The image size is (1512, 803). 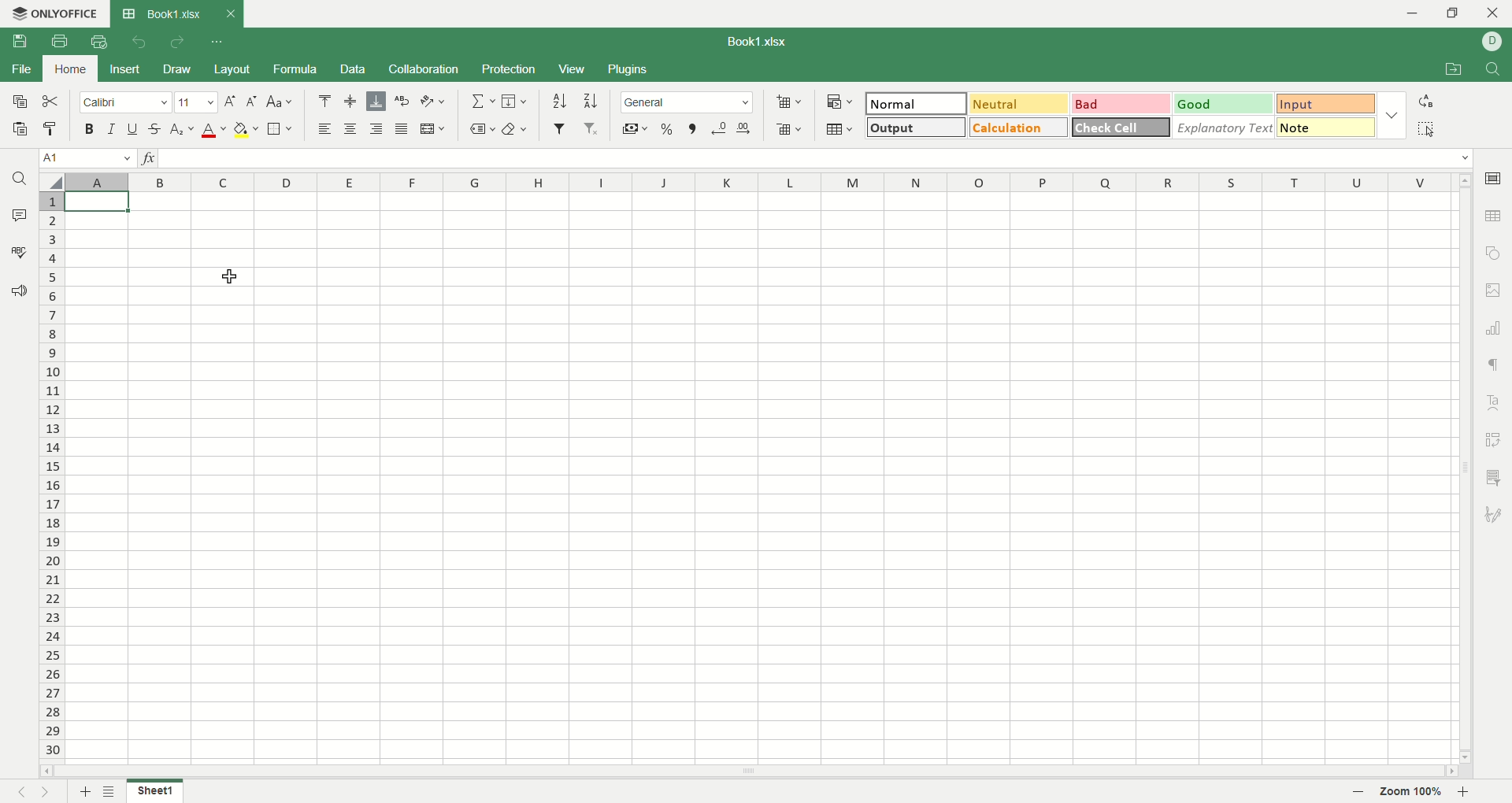 I want to click on image settings, so click(x=1494, y=290).